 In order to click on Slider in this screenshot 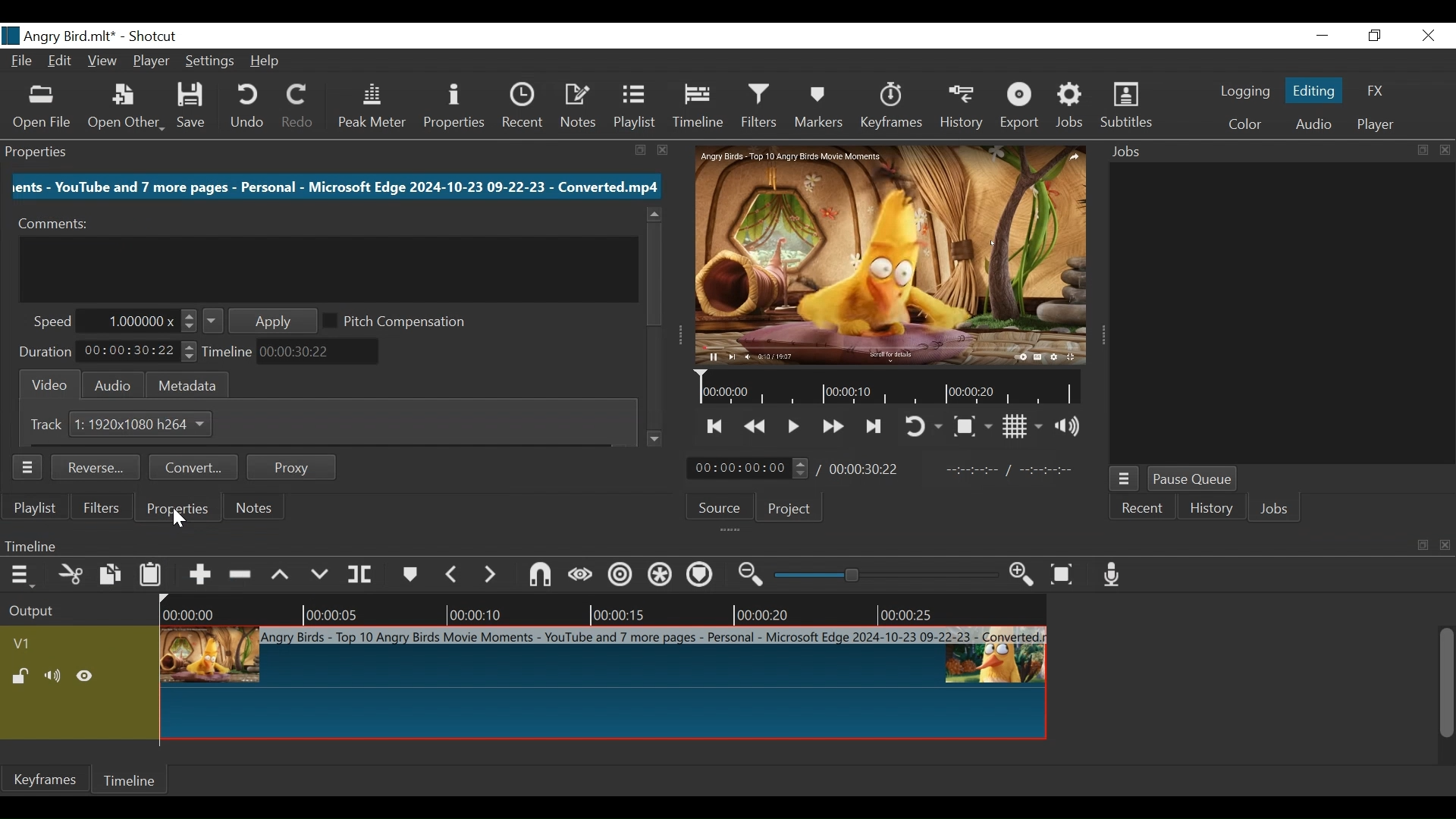, I will do `click(886, 575)`.